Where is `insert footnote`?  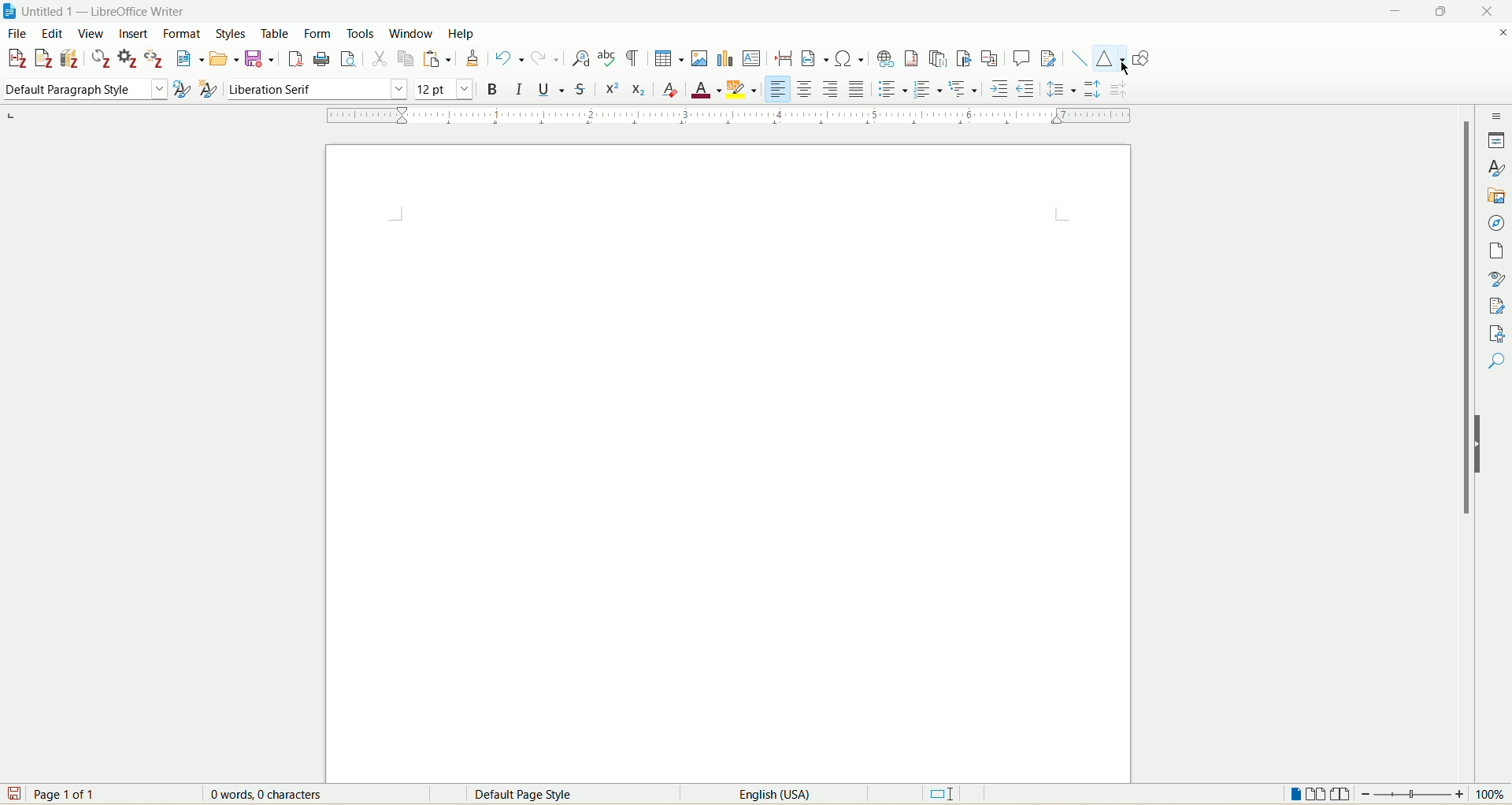 insert footnote is located at coordinates (916, 58).